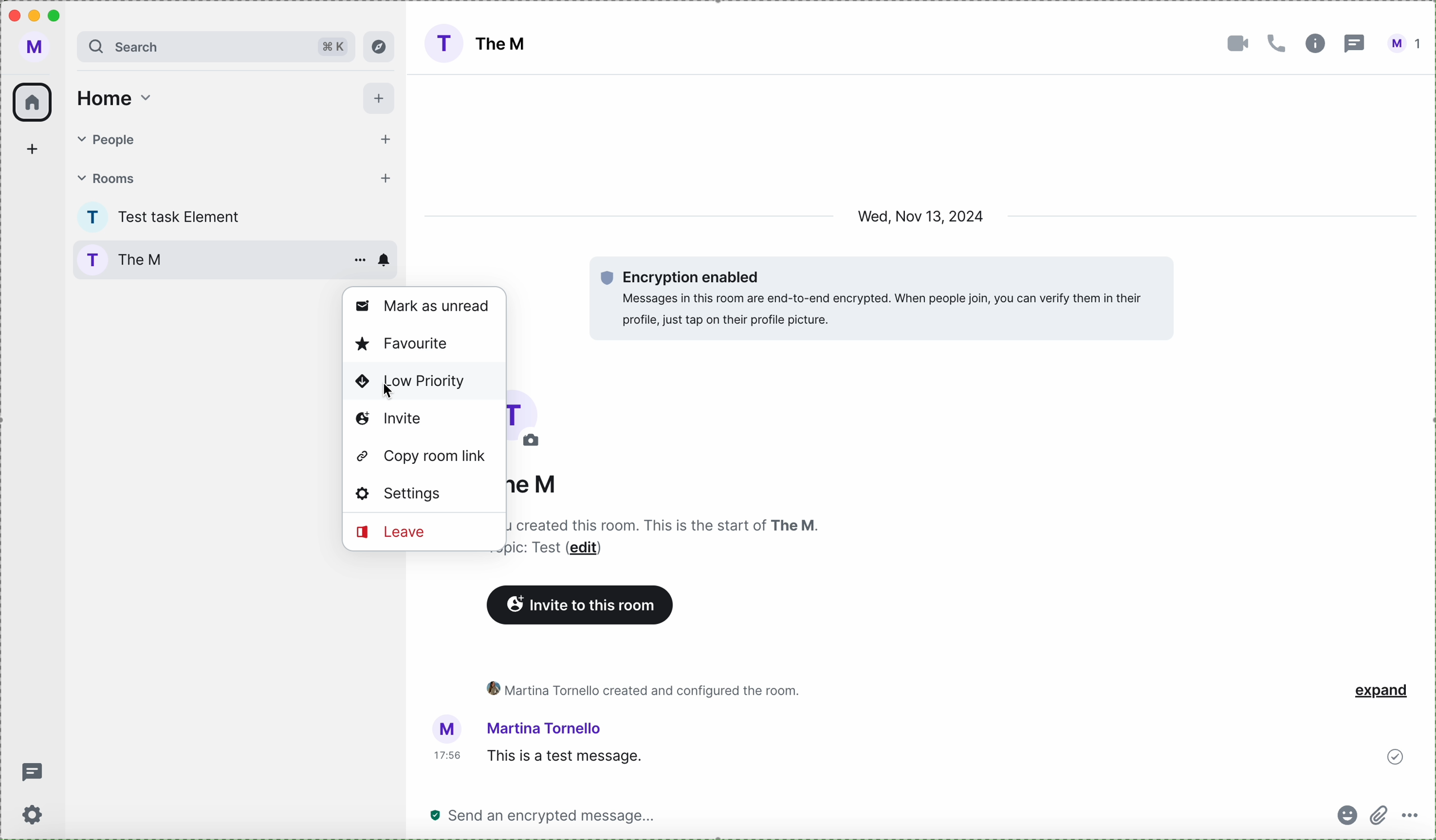  What do you see at coordinates (33, 814) in the screenshot?
I see `settings` at bounding box center [33, 814].